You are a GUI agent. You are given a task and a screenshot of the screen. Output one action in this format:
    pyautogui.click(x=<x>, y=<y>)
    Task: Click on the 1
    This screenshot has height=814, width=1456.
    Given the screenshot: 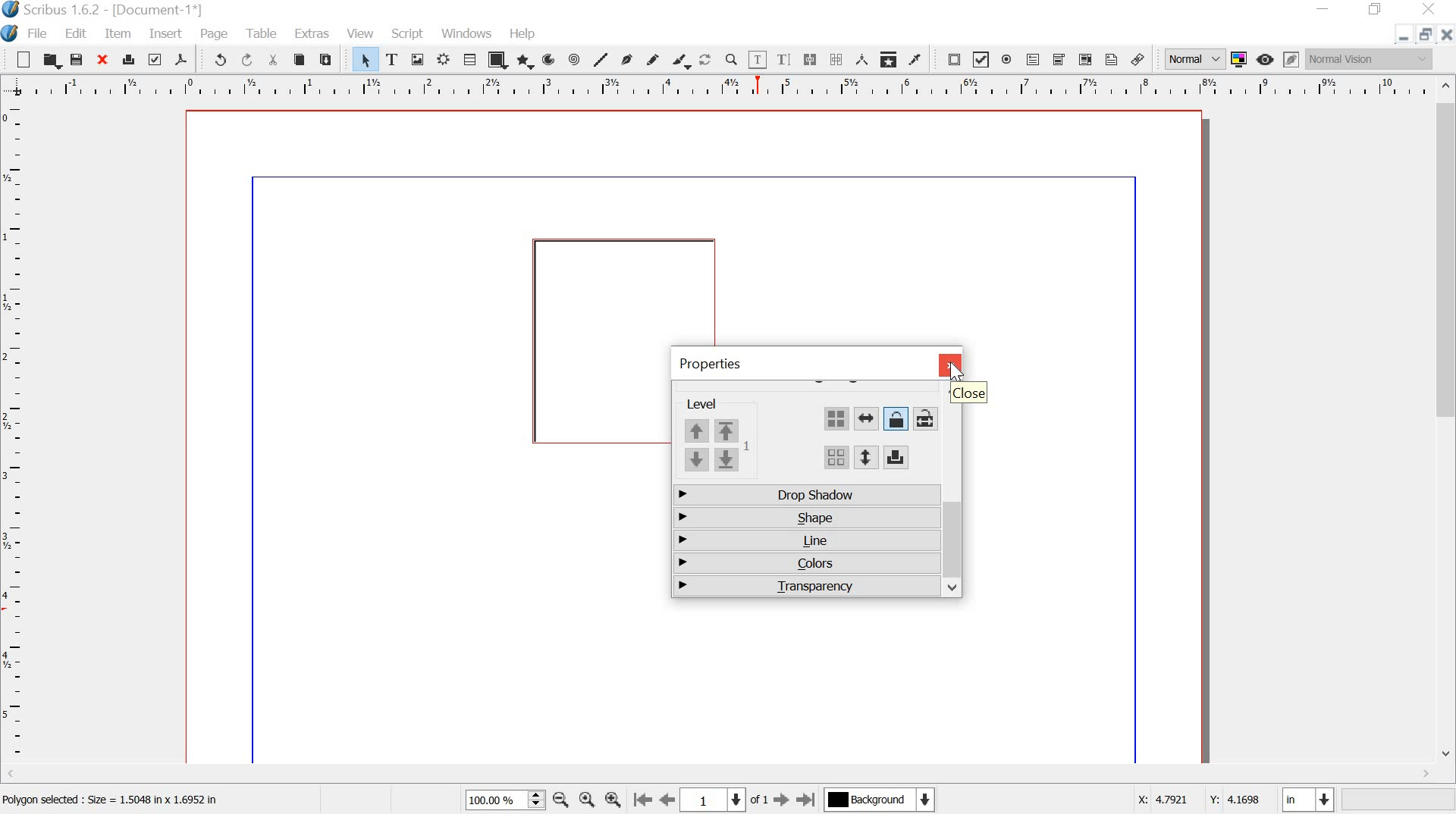 What is the action you would take?
    pyautogui.click(x=713, y=800)
    